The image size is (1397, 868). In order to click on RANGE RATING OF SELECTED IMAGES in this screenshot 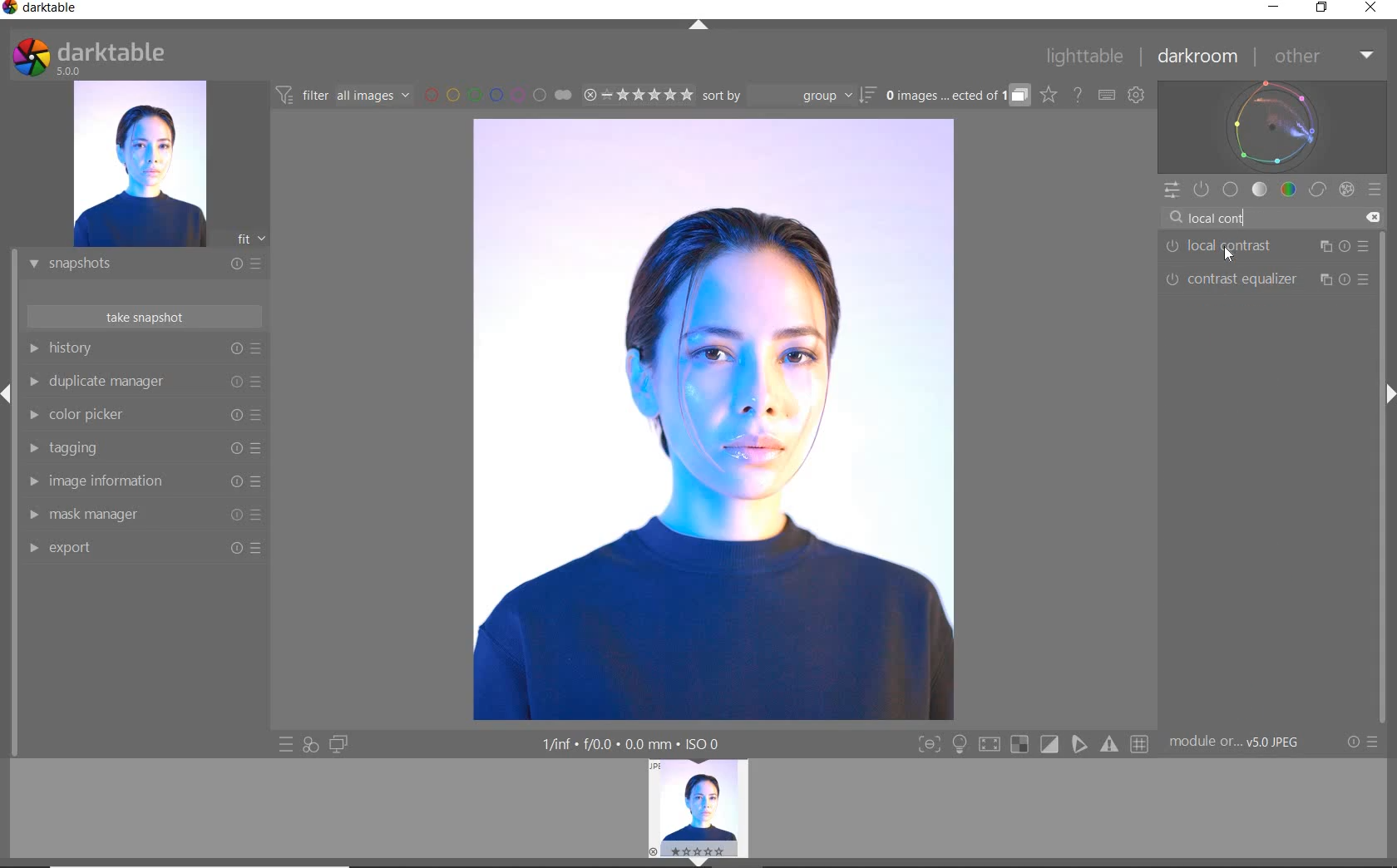, I will do `click(637, 94)`.